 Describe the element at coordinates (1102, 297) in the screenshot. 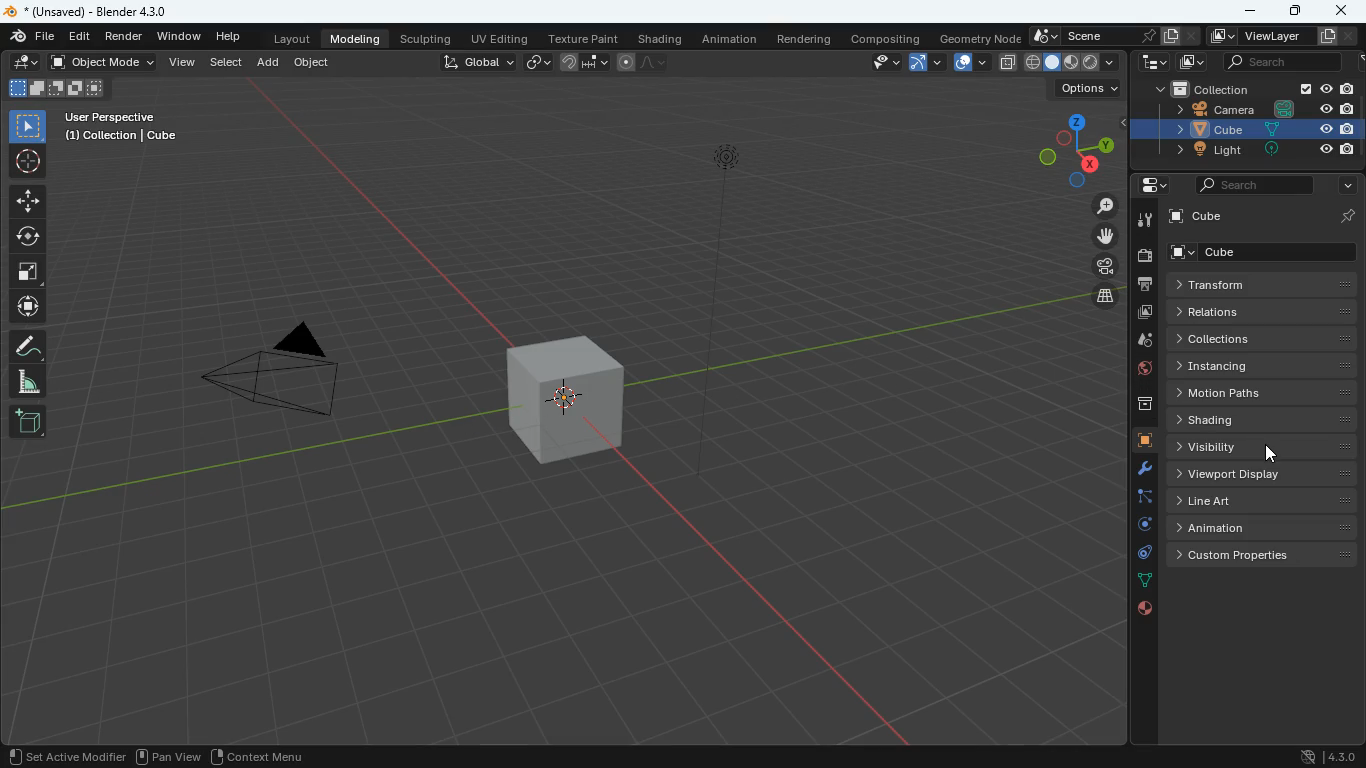

I see `layers` at that location.